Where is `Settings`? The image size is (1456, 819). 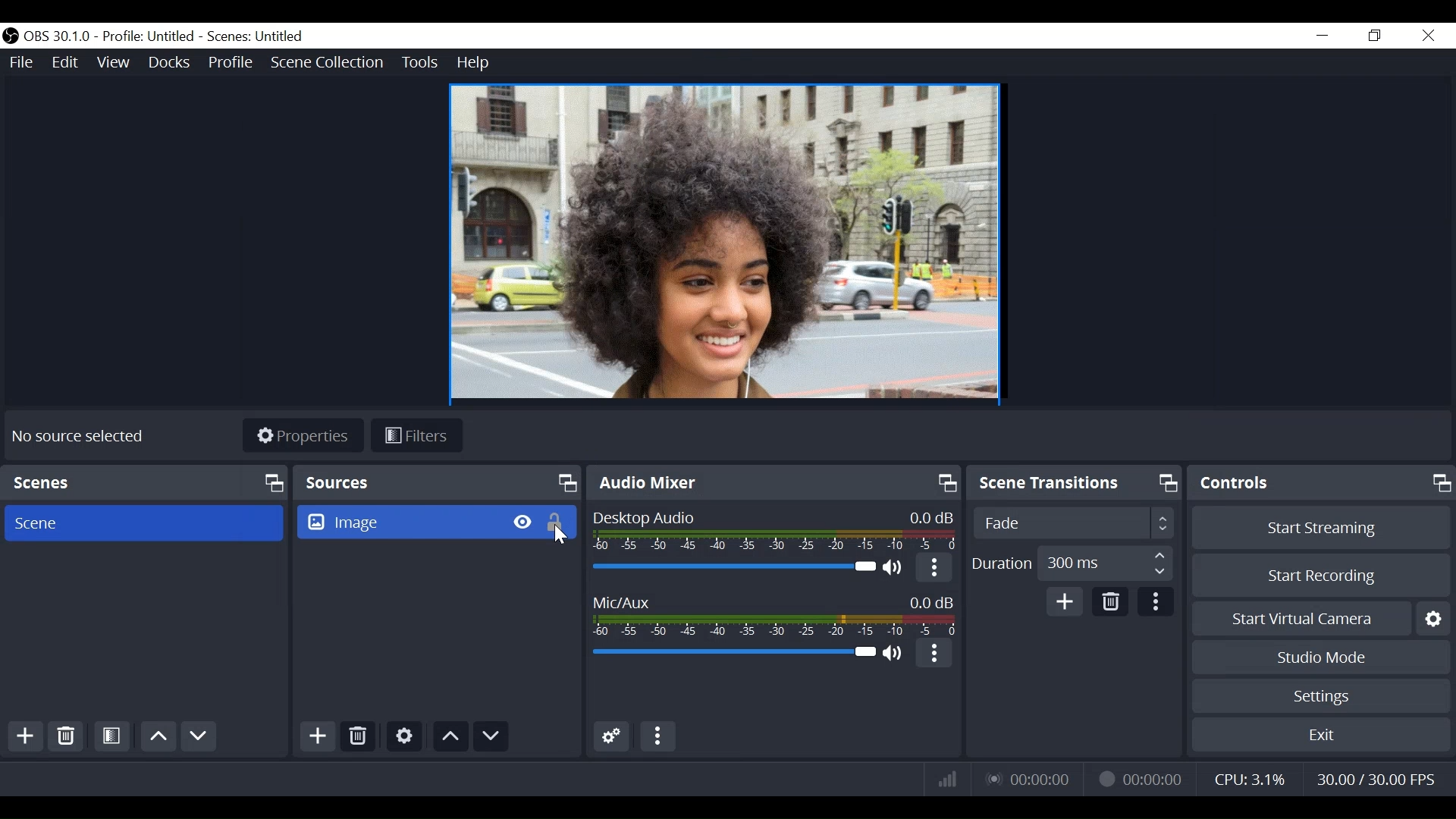 Settings is located at coordinates (1318, 697).